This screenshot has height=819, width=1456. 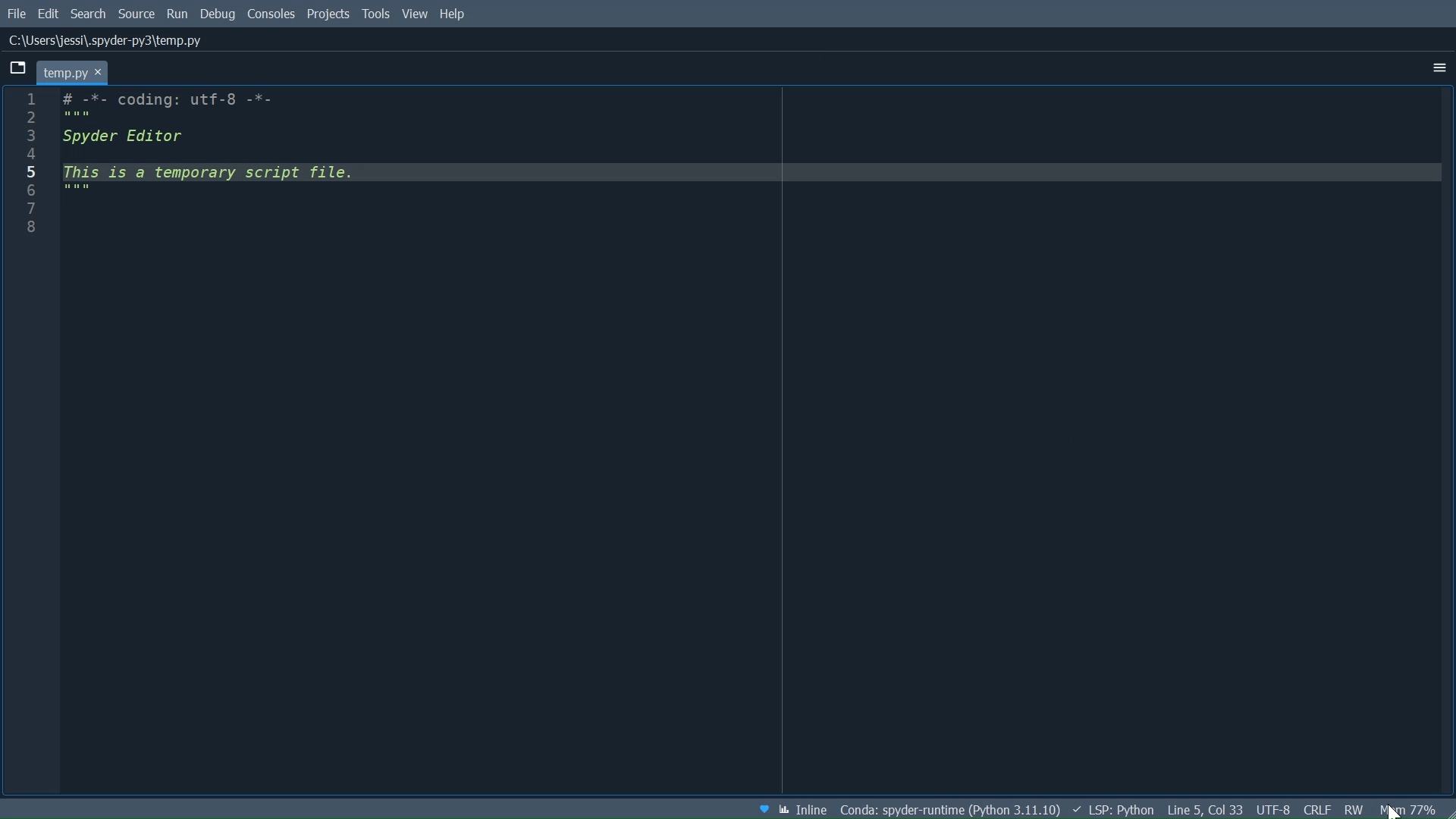 I want to click on Search, so click(x=89, y=14).